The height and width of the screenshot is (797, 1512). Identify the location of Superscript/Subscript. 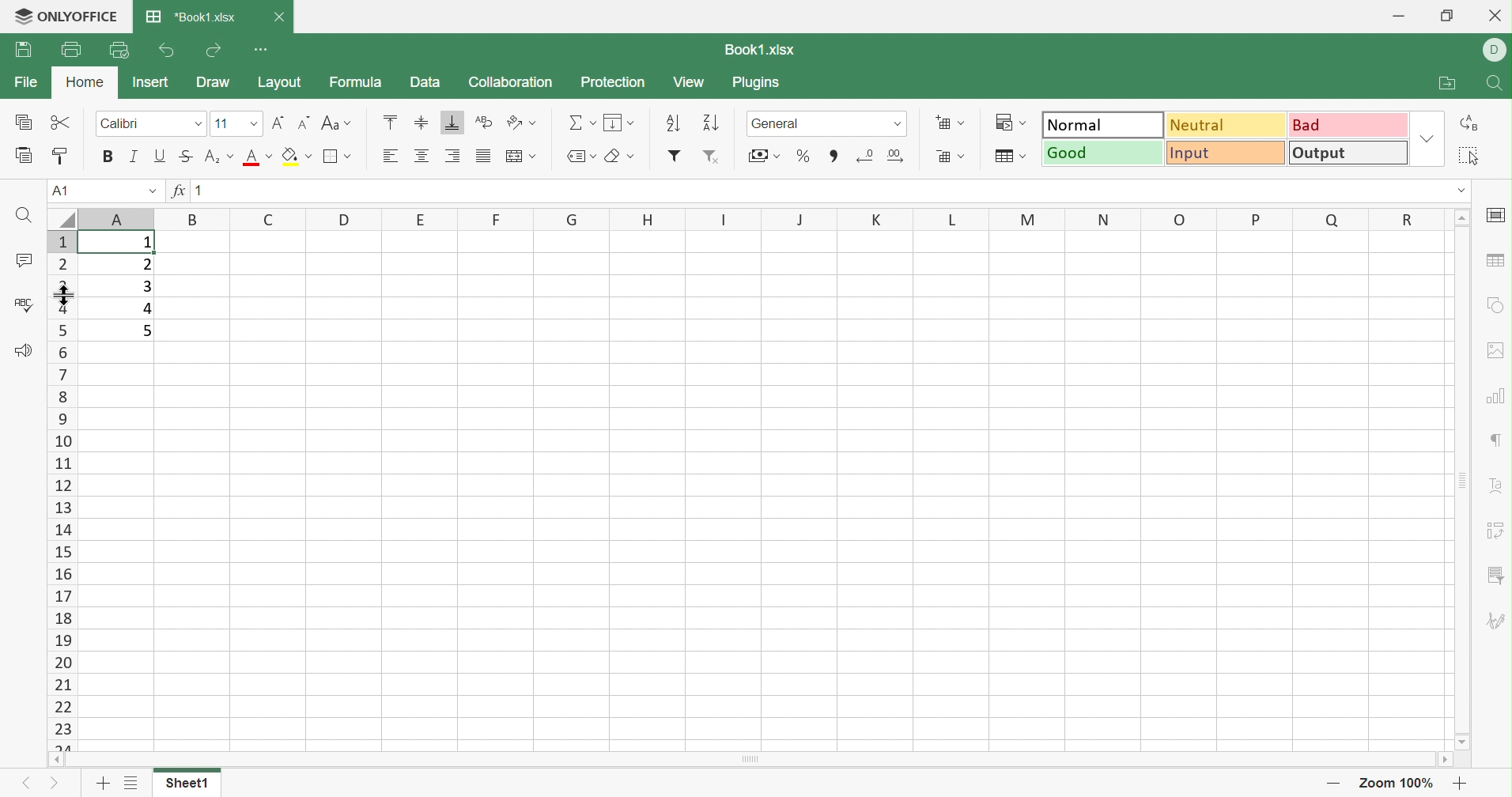
(211, 157).